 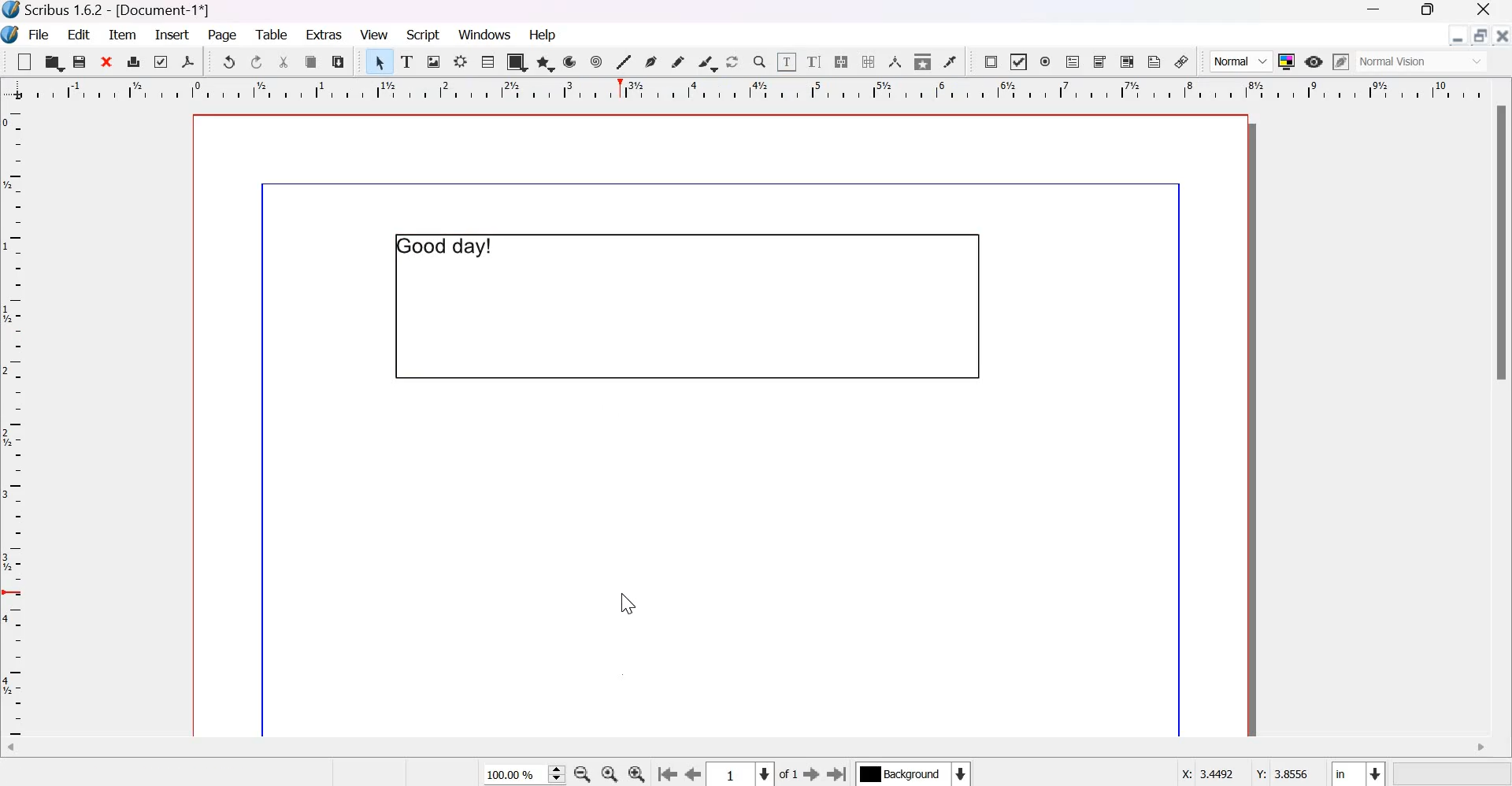 What do you see at coordinates (754, 90) in the screenshot?
I see `Horizontal scale` at bounding box center [754, 90].